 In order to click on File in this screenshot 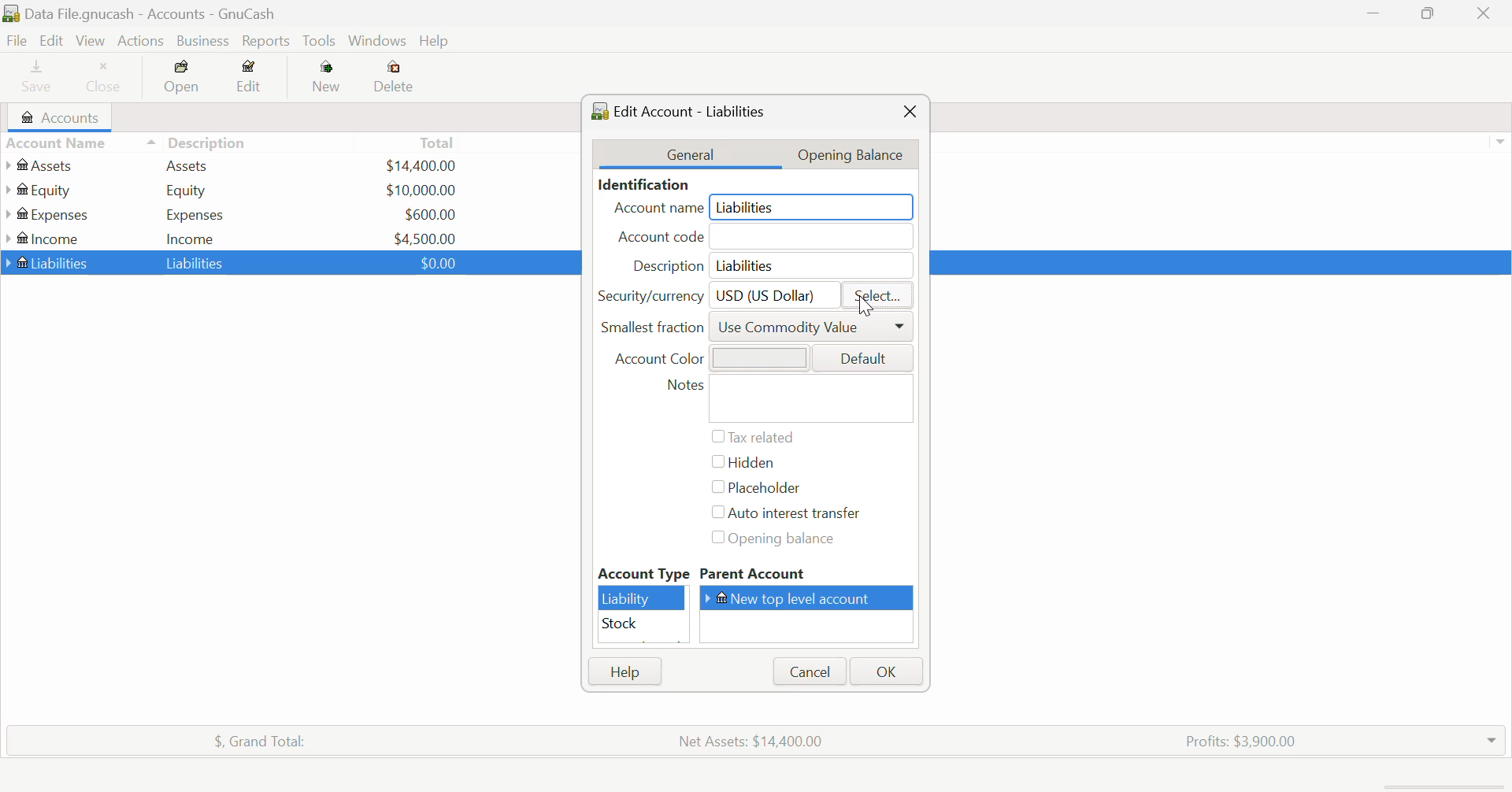, I will do `click(15, 41)`.